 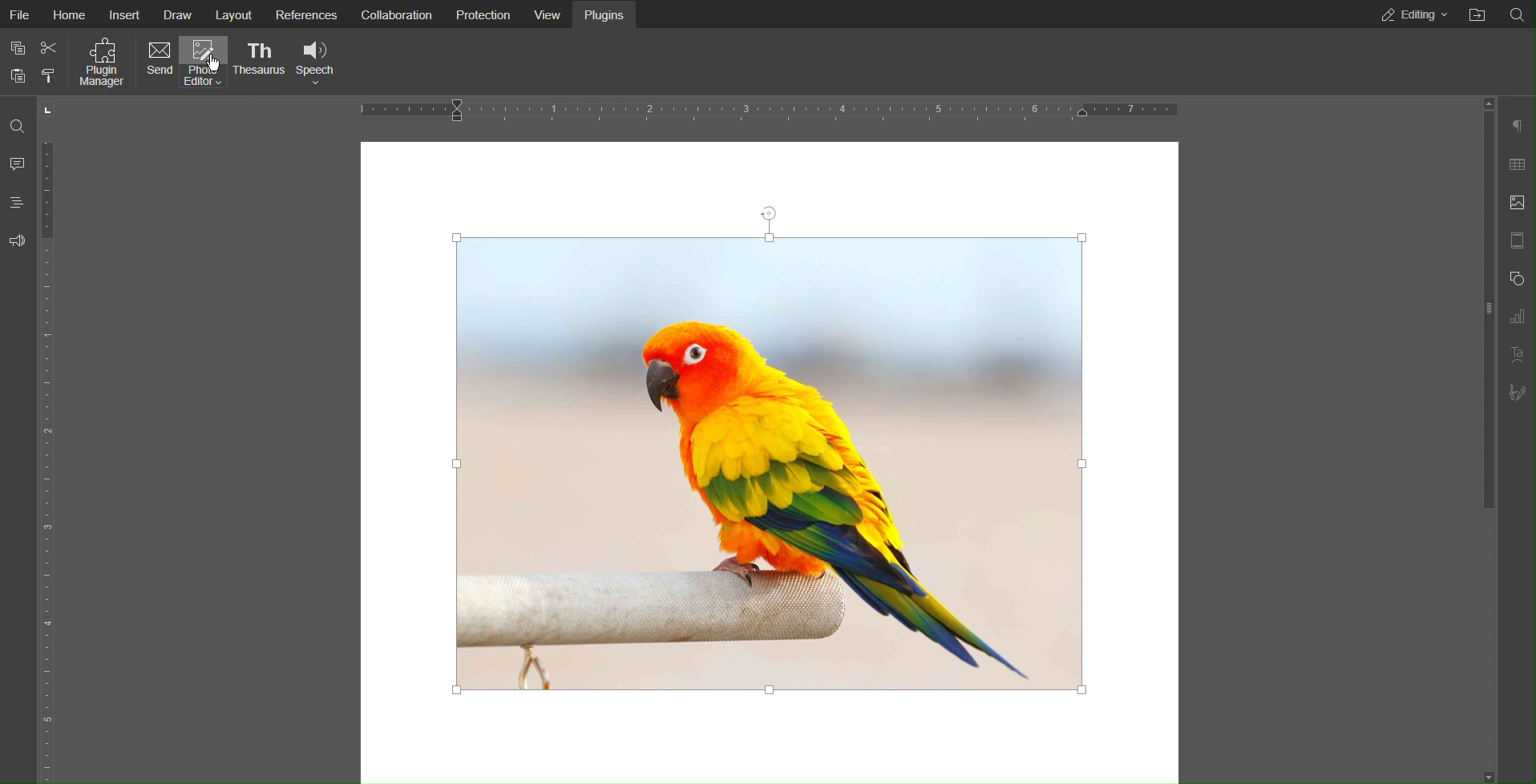 What do you see at coordinates (1516, 317) in the screenshot?
I see `Graph Settings` at bounding box center [1516, 317].